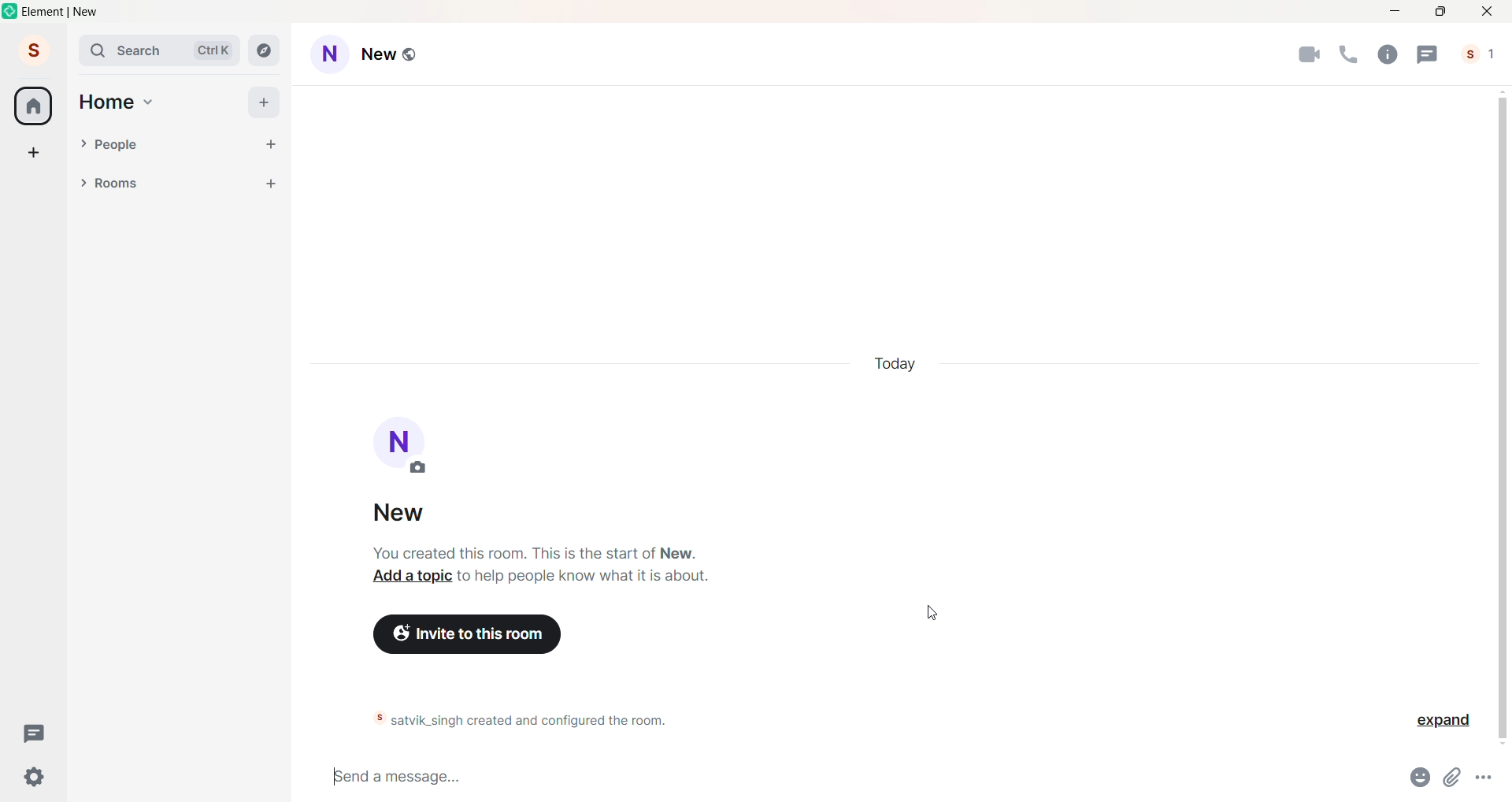  I want to click on Threads, so click(1433, 54).